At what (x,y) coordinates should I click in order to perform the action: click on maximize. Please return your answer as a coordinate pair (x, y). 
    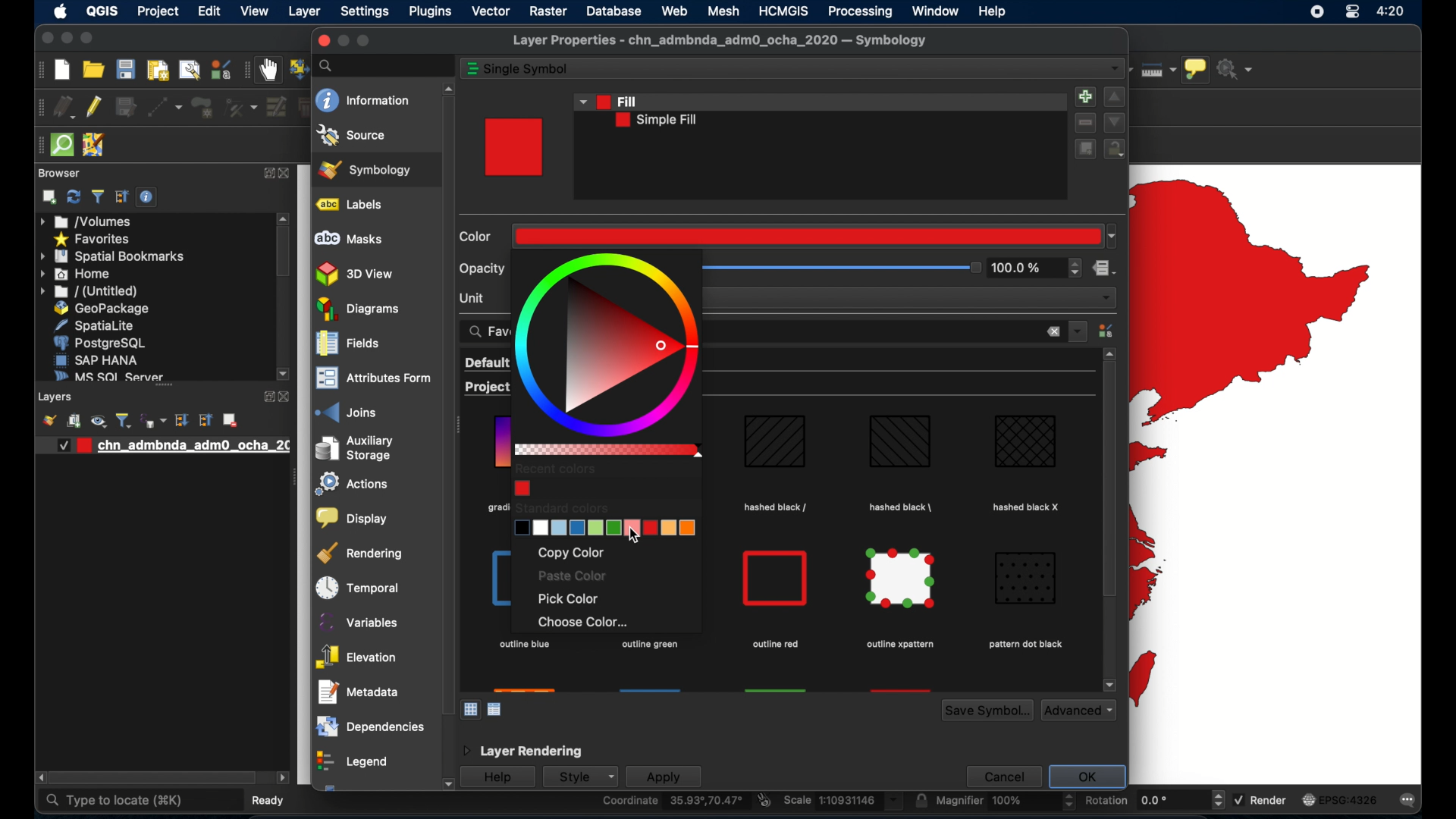
    Looking at the image, I should click on (365, 41).